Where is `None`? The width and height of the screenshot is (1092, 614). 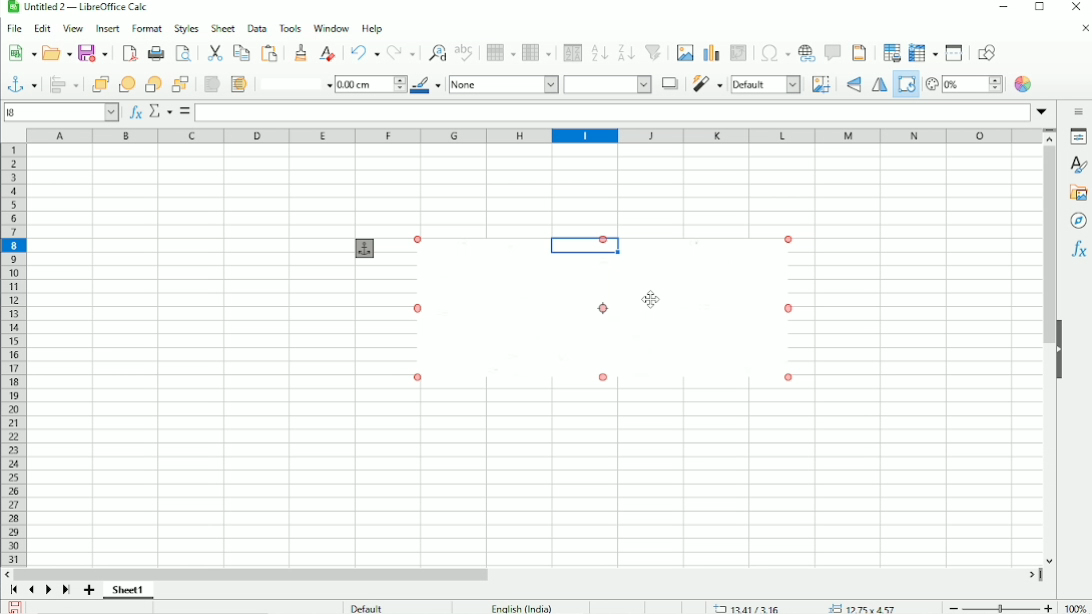 None is located at coordinates (503, 84).